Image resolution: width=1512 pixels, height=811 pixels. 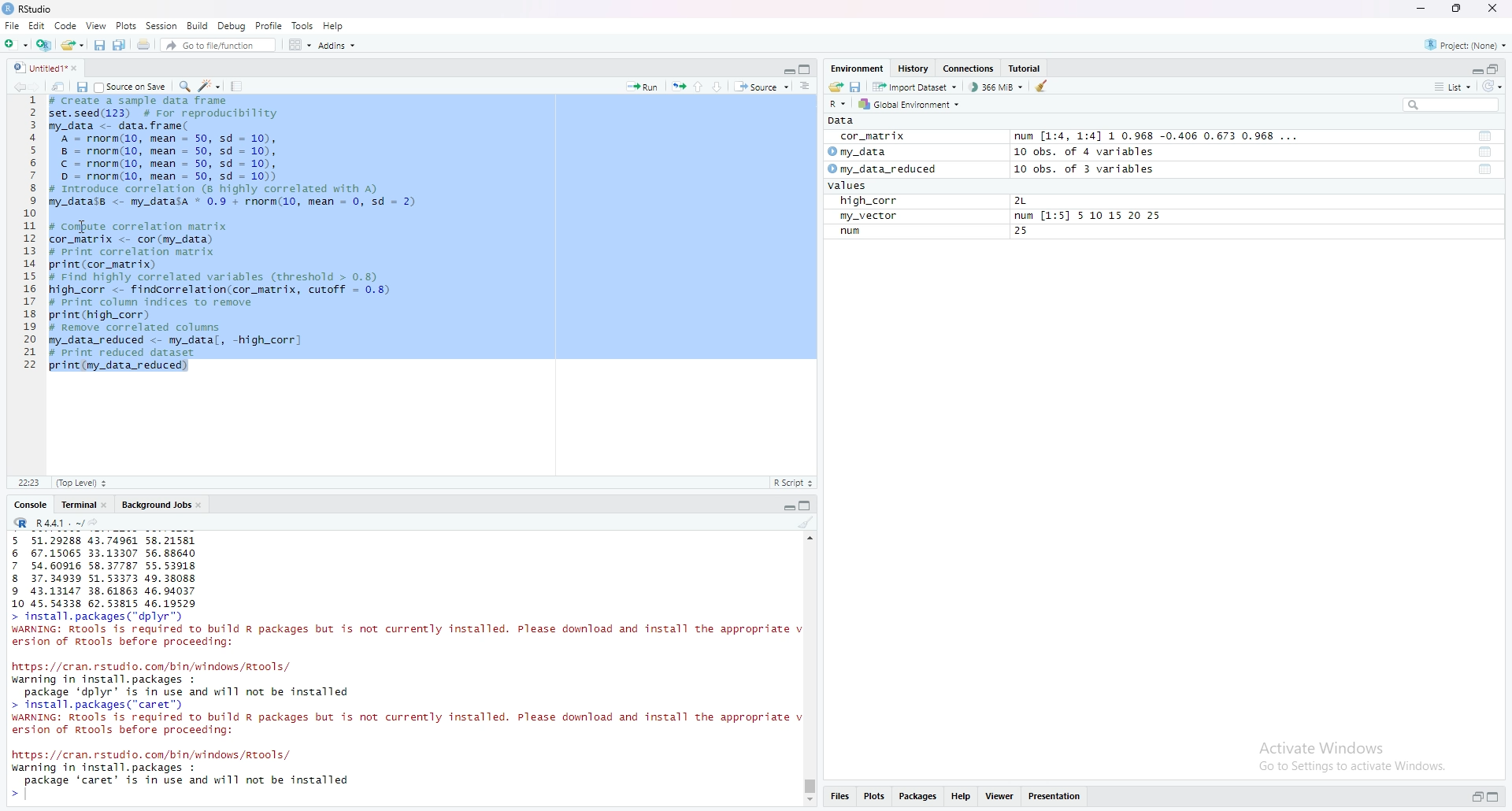 I want to click on Activate Windows
Go to Settings to activate Windows., so click(x=1354, y=758).